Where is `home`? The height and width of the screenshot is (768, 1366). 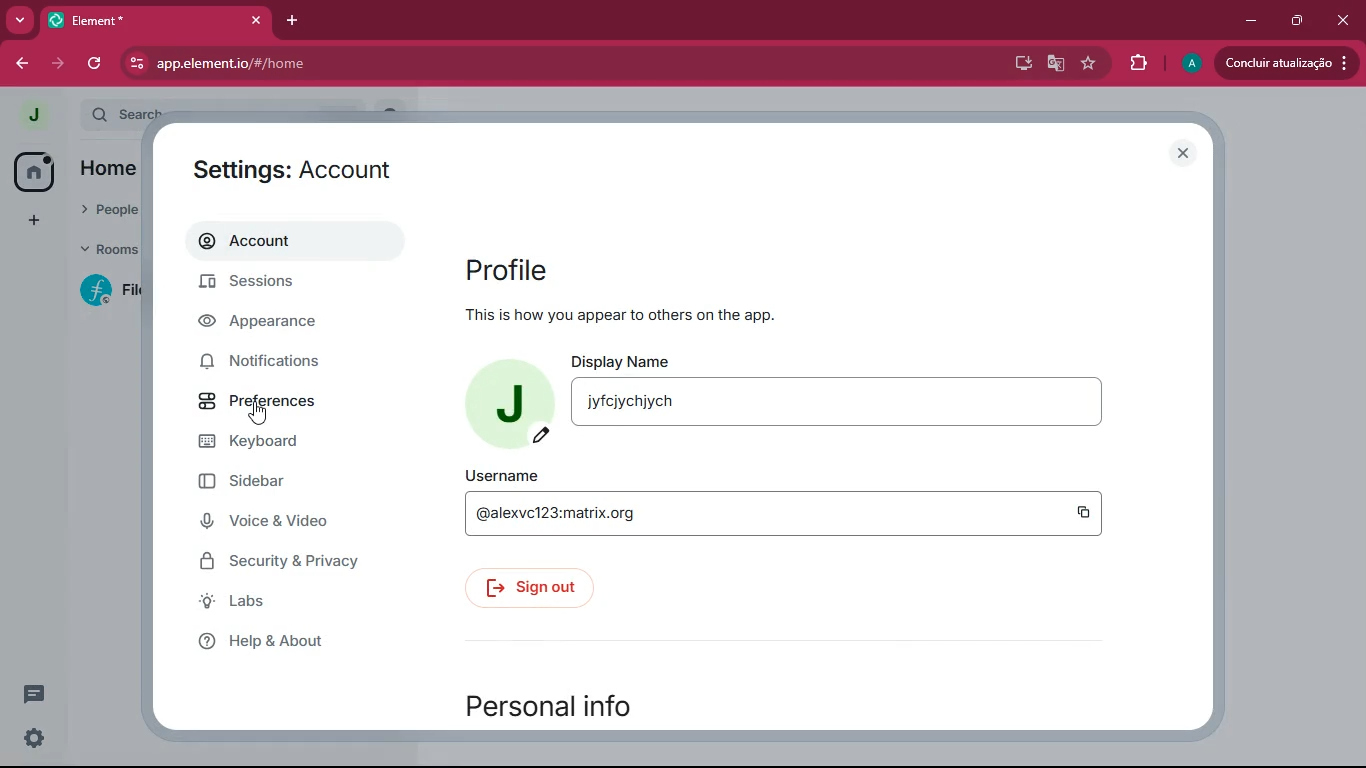
home is located at coordinates (114, 171).